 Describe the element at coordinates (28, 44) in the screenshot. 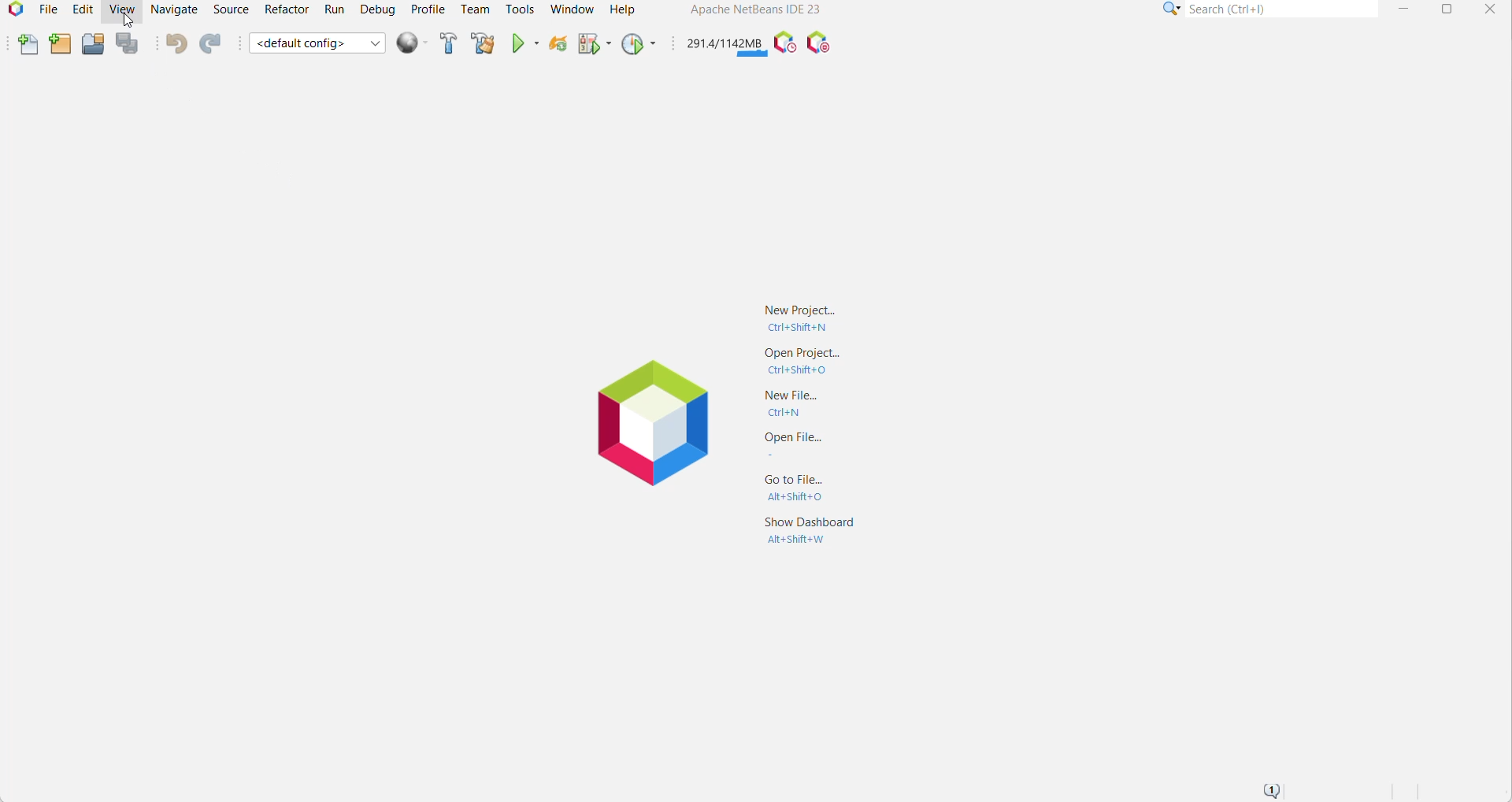

I see `New File` at that location.